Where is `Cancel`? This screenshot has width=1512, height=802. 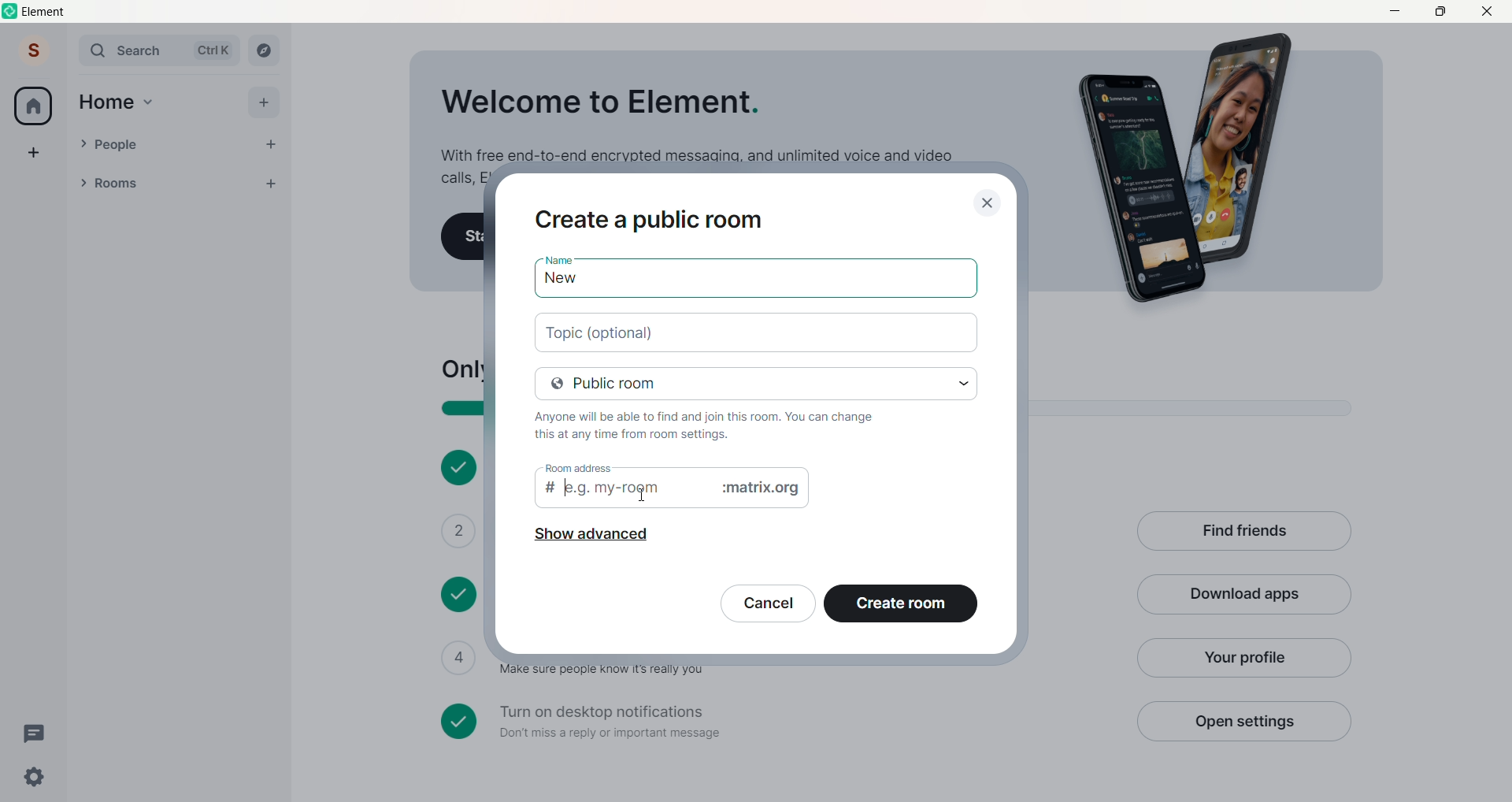
Cancel is located at coordinates (768, 607).